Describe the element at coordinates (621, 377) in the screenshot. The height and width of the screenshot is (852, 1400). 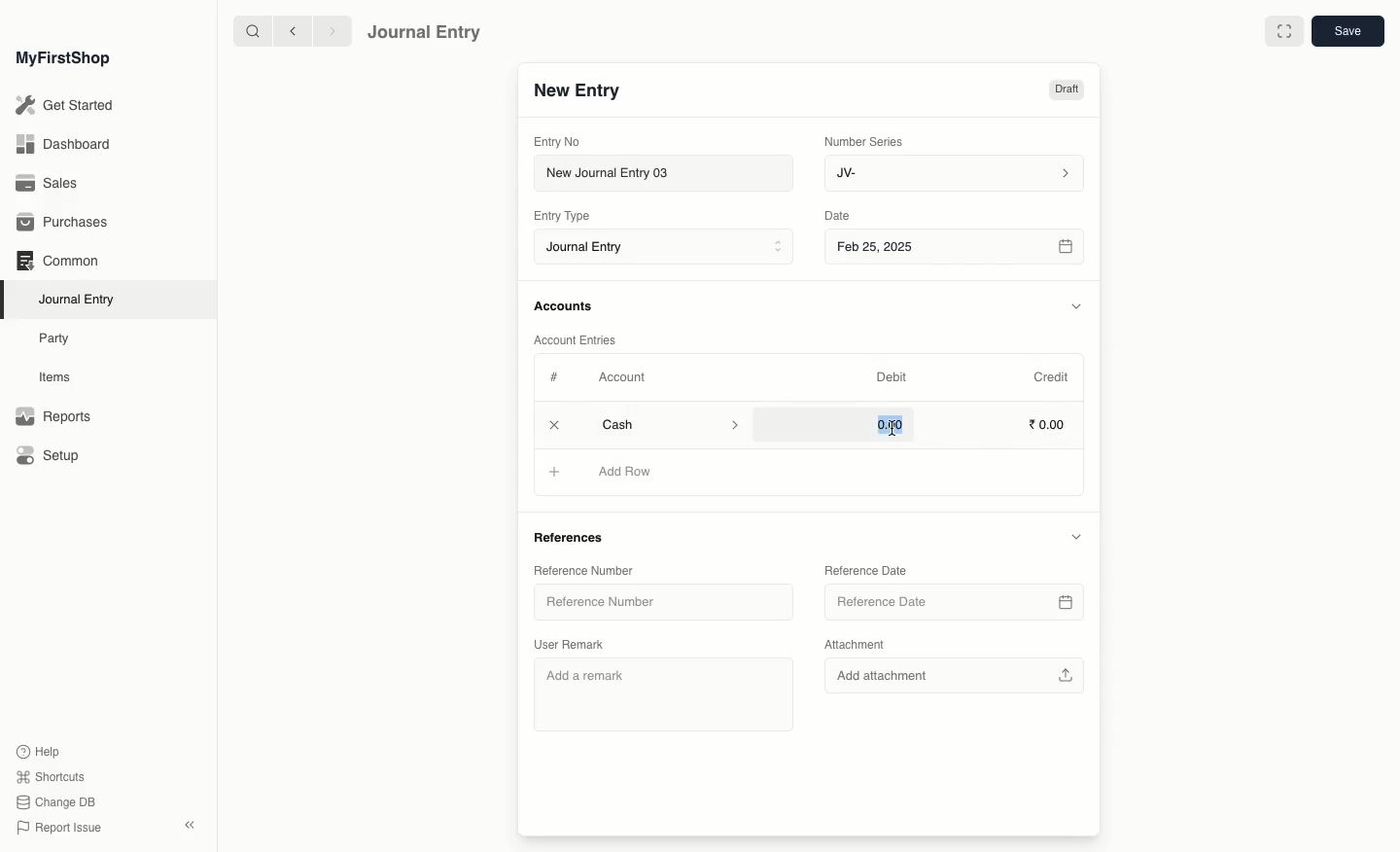
I see `Account` at that location.